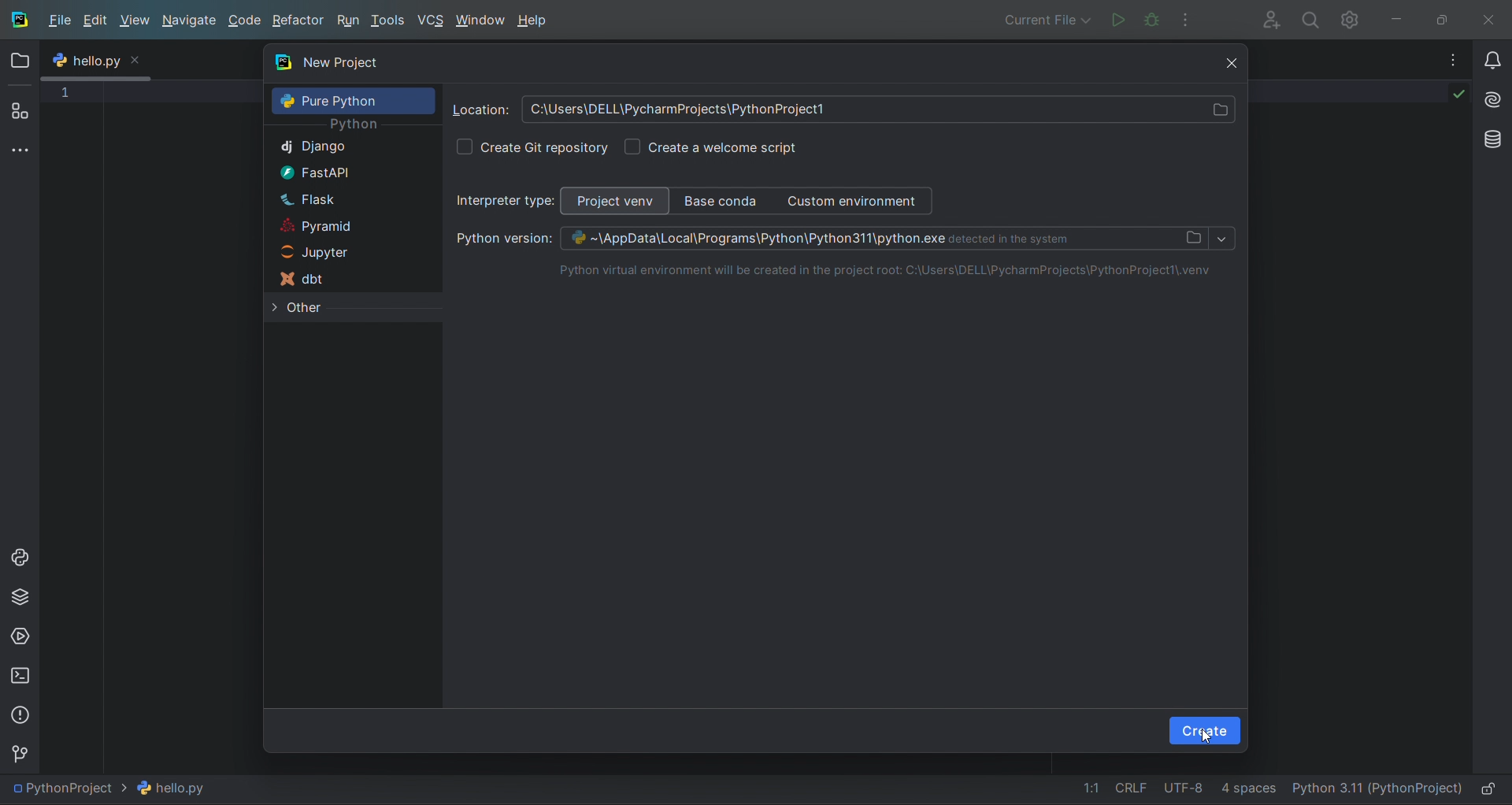 The image size is (1512, 805). I want to click on close, so click(1492, 17).